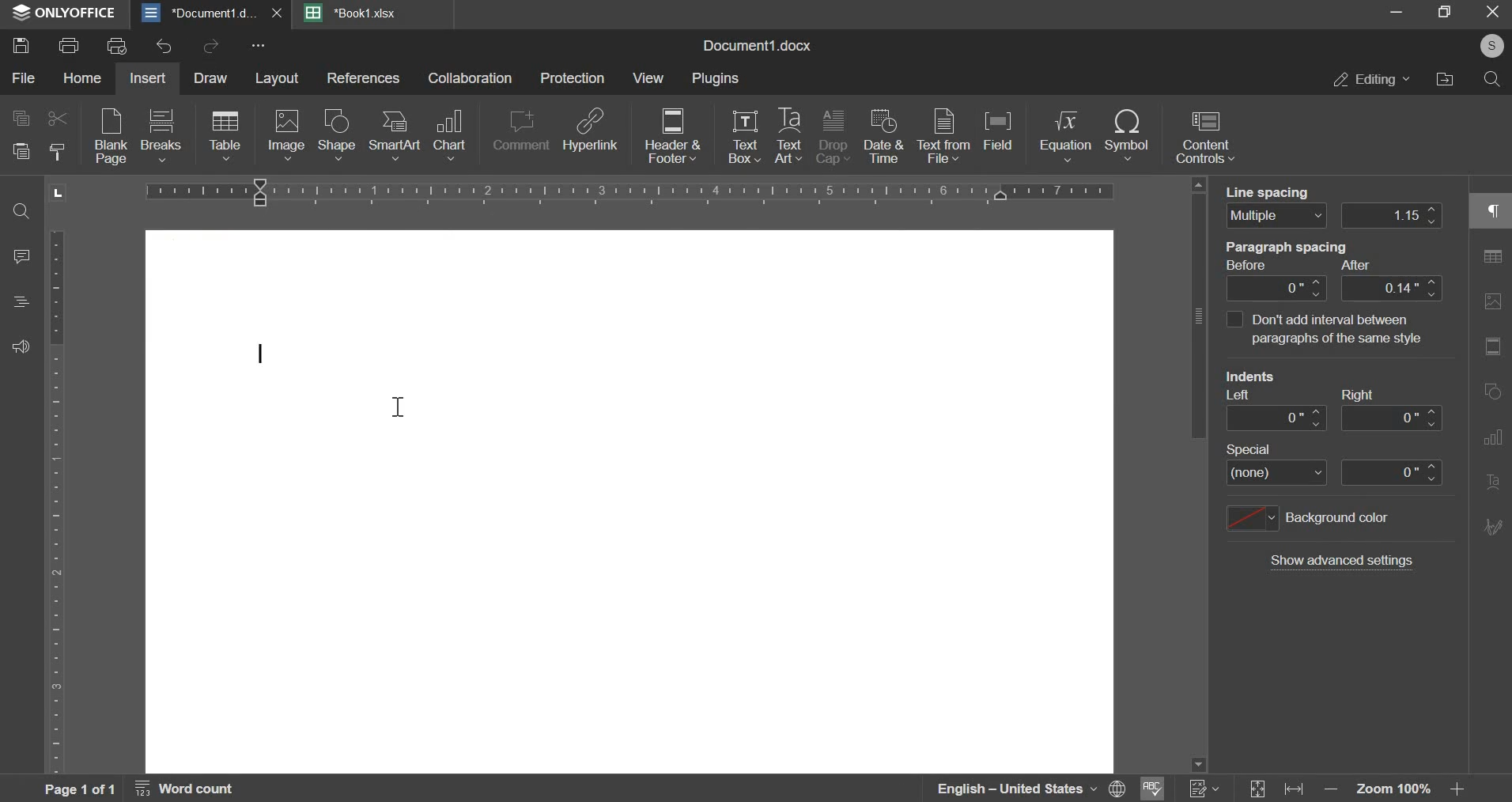  I want to click on Table Tool, so click(1492, 210).